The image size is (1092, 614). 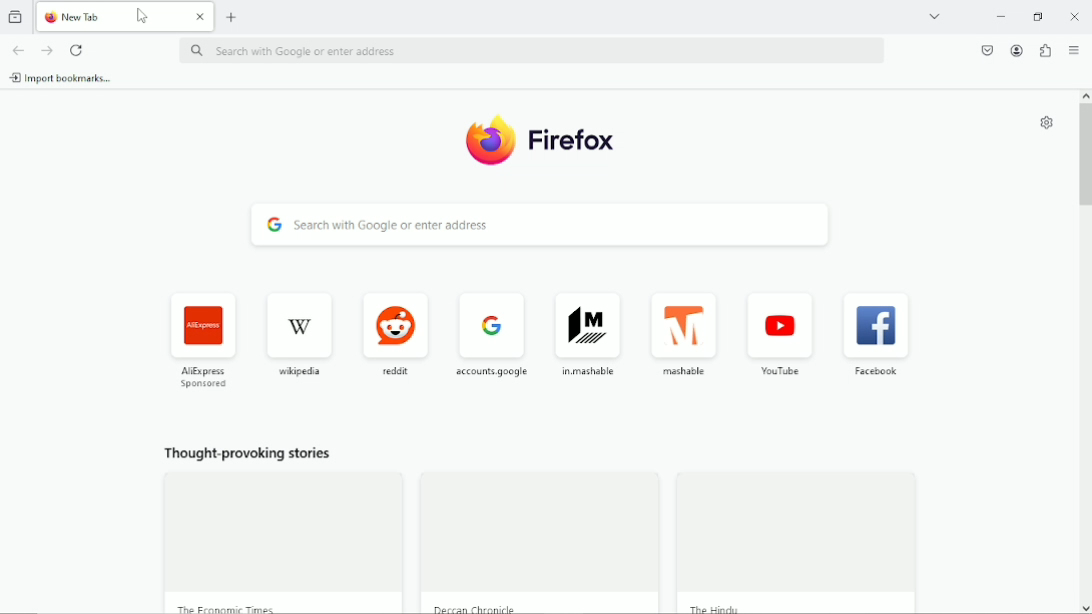 What do you see at coordinates (494, 332) in the screenshot?
I see `accounts google` at bounding box center [494, 332].